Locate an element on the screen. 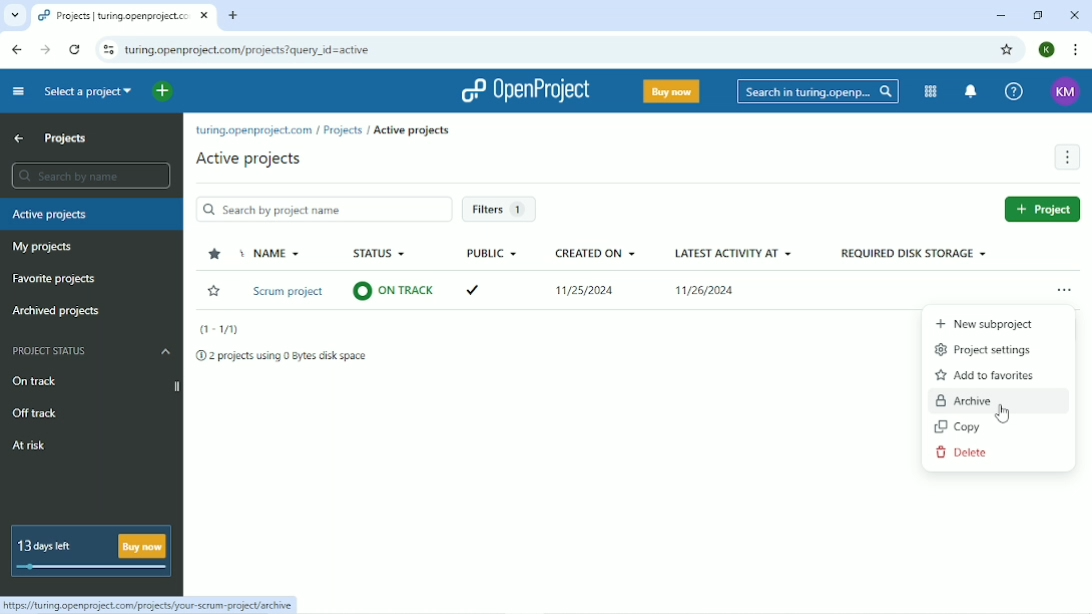 The image size is (1092, 614). Minimize is located at coordinates (1001, 16).